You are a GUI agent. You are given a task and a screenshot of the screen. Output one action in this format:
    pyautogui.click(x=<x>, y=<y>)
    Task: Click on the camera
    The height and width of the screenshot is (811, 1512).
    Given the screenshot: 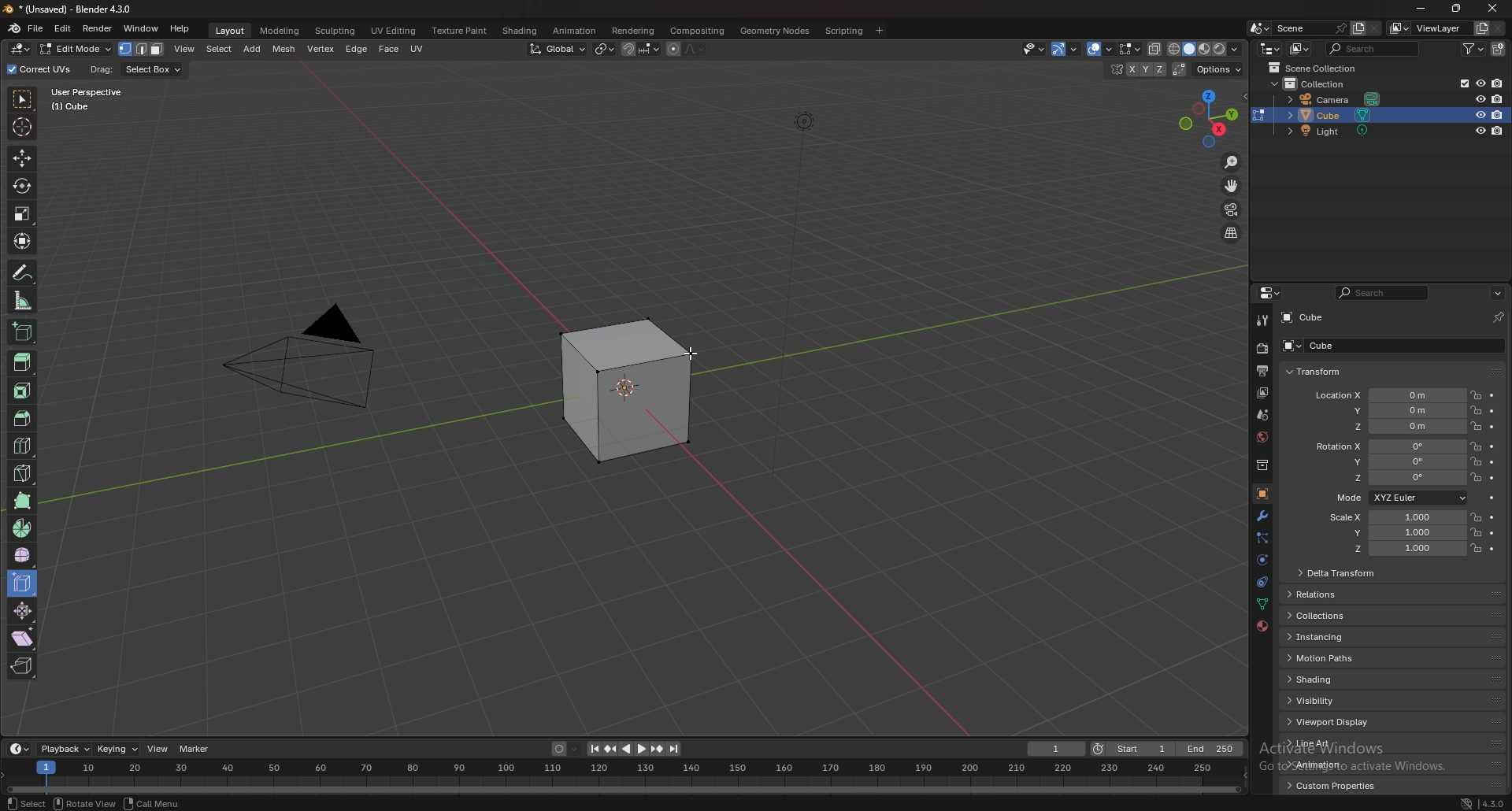 What is the action you would take?
    pyautogui.click(x=1338, y=98)
    